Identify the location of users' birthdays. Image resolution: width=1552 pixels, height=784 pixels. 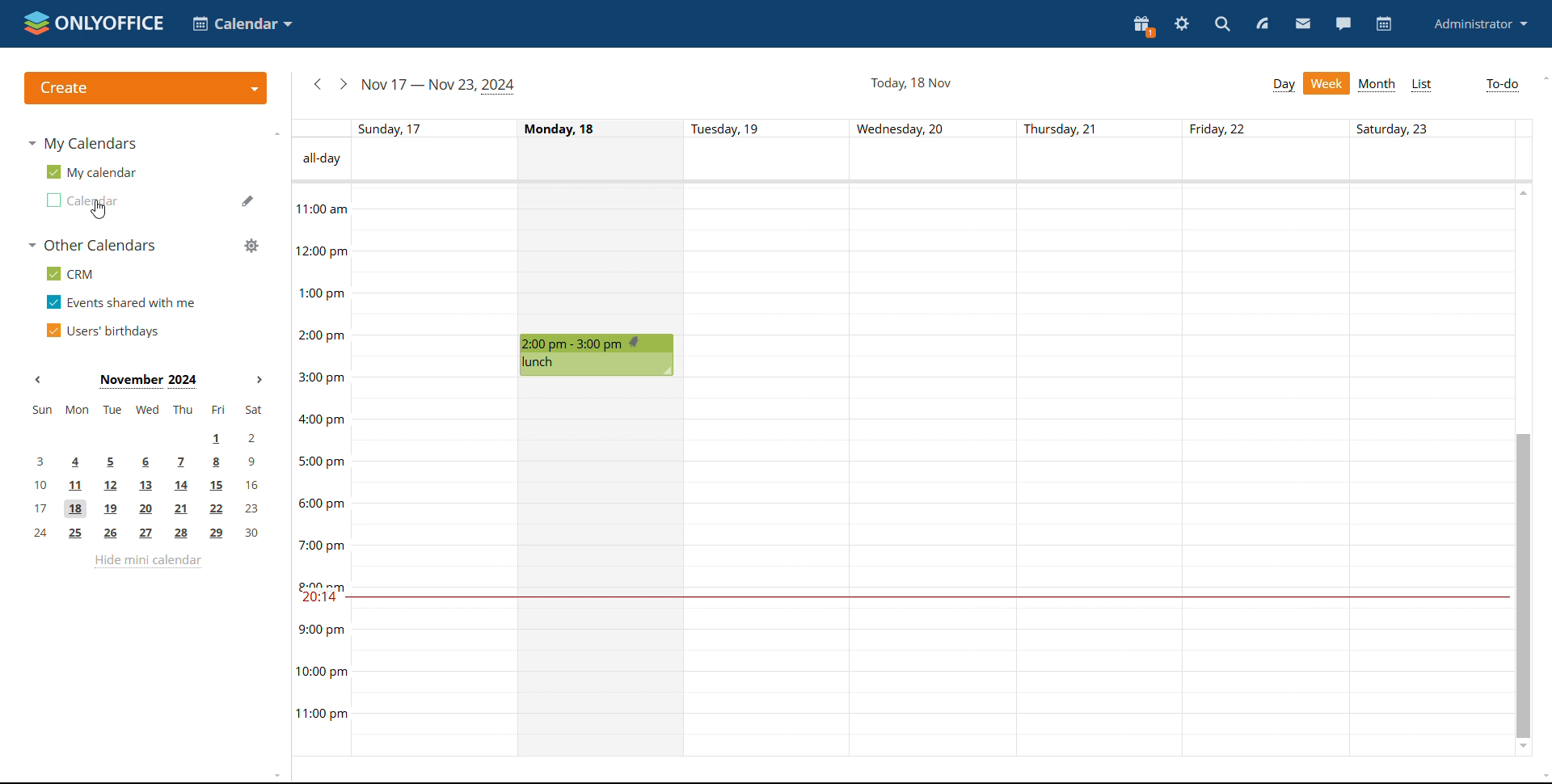
(103, 331).